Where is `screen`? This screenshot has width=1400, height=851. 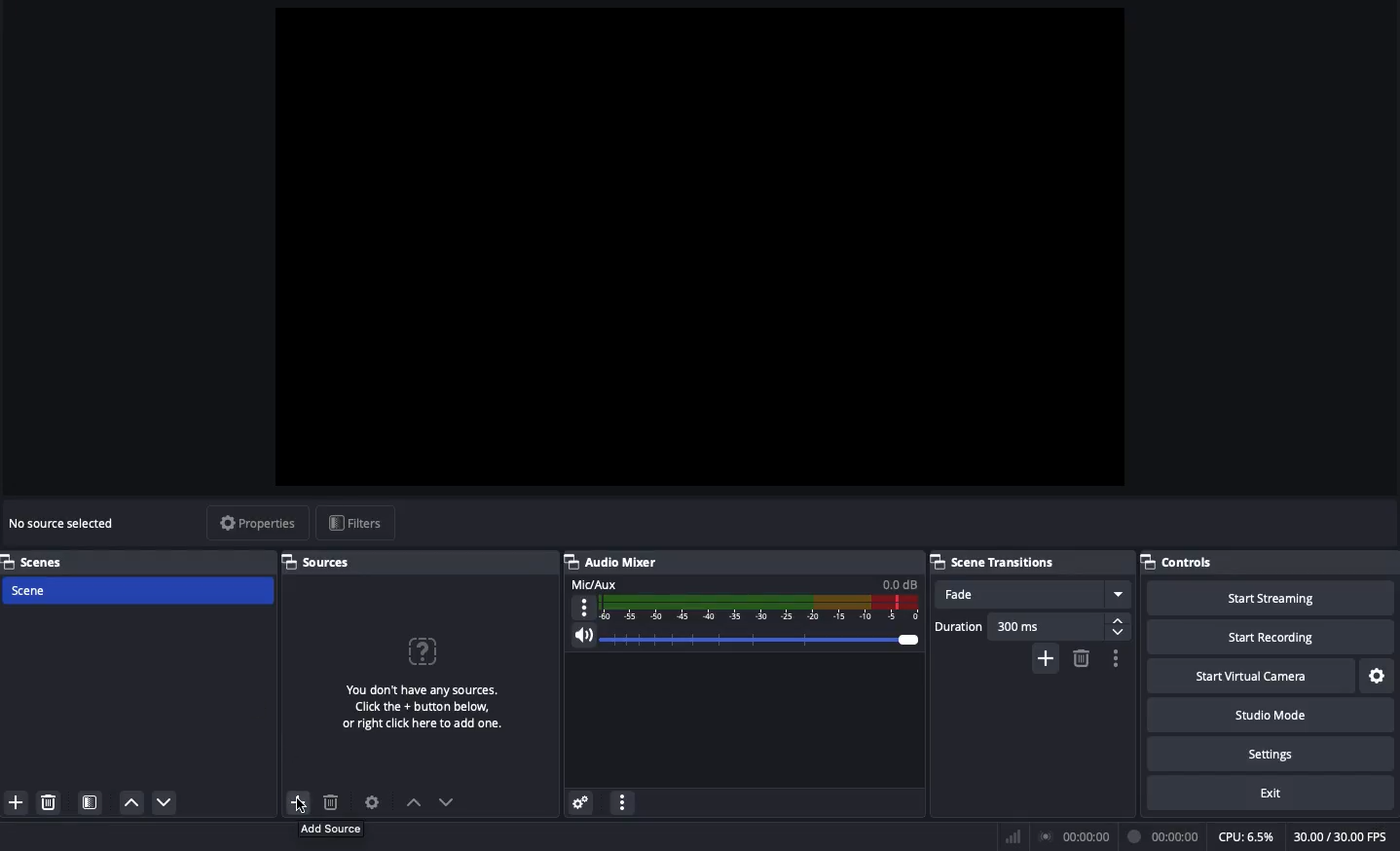
screen is located at coordinates (702, 247).